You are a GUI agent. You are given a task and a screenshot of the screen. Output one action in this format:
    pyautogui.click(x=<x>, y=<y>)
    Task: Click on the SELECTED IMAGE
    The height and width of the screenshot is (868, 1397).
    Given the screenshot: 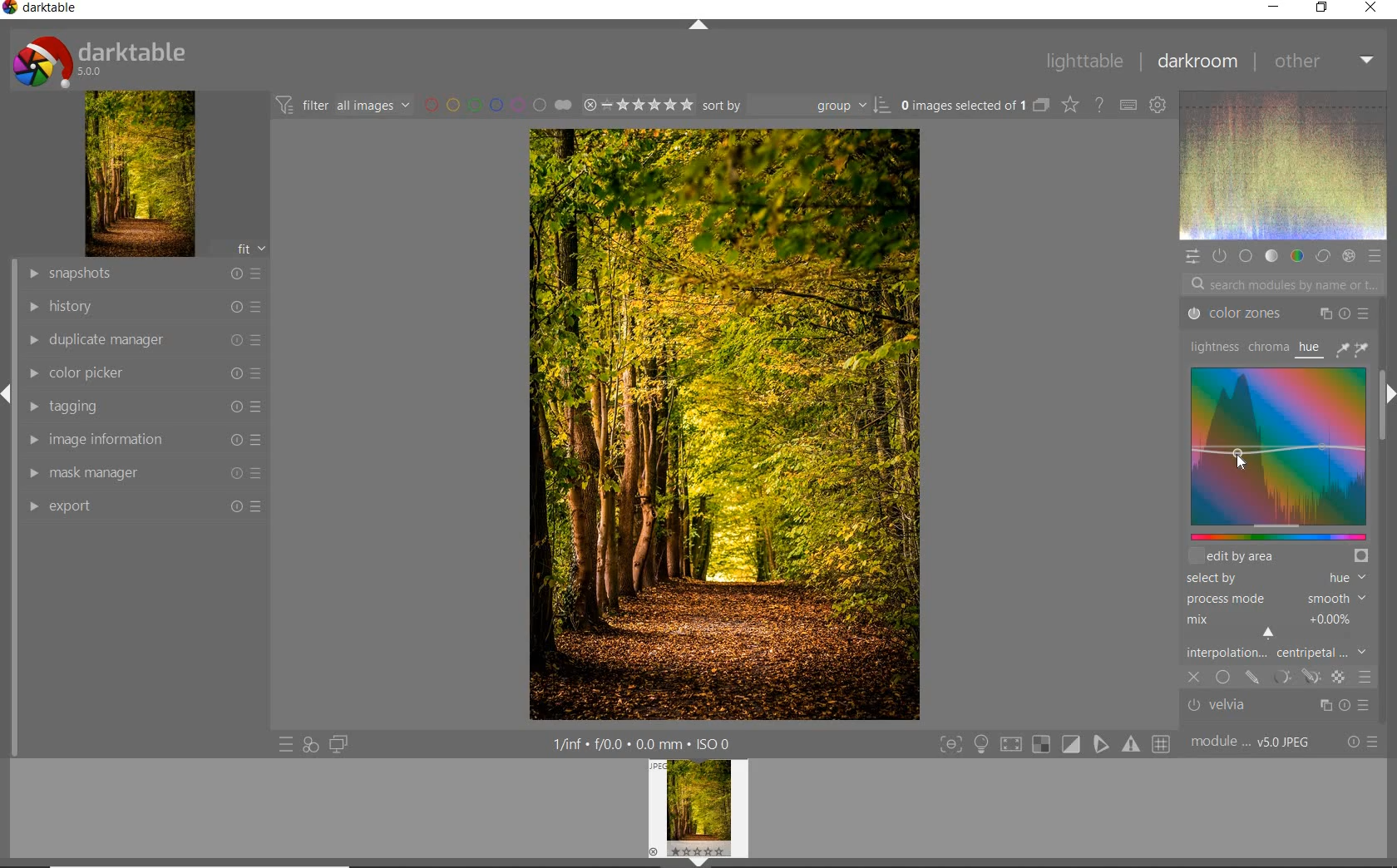 What is the action you would take?
    pyautogui.click(x=962, y=106)
    